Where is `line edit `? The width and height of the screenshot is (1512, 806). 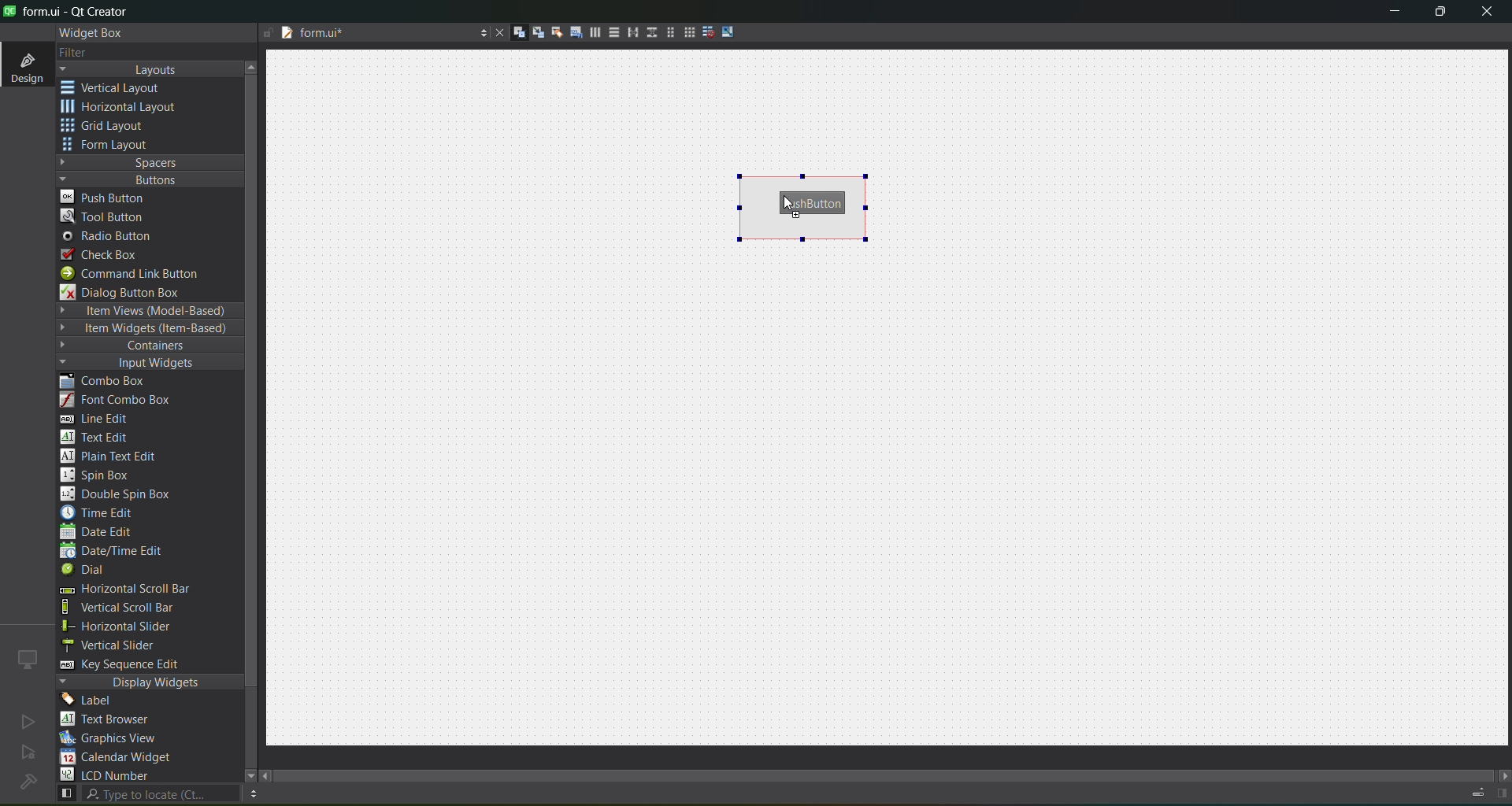 line edit  is located at coordinates (102, 419).